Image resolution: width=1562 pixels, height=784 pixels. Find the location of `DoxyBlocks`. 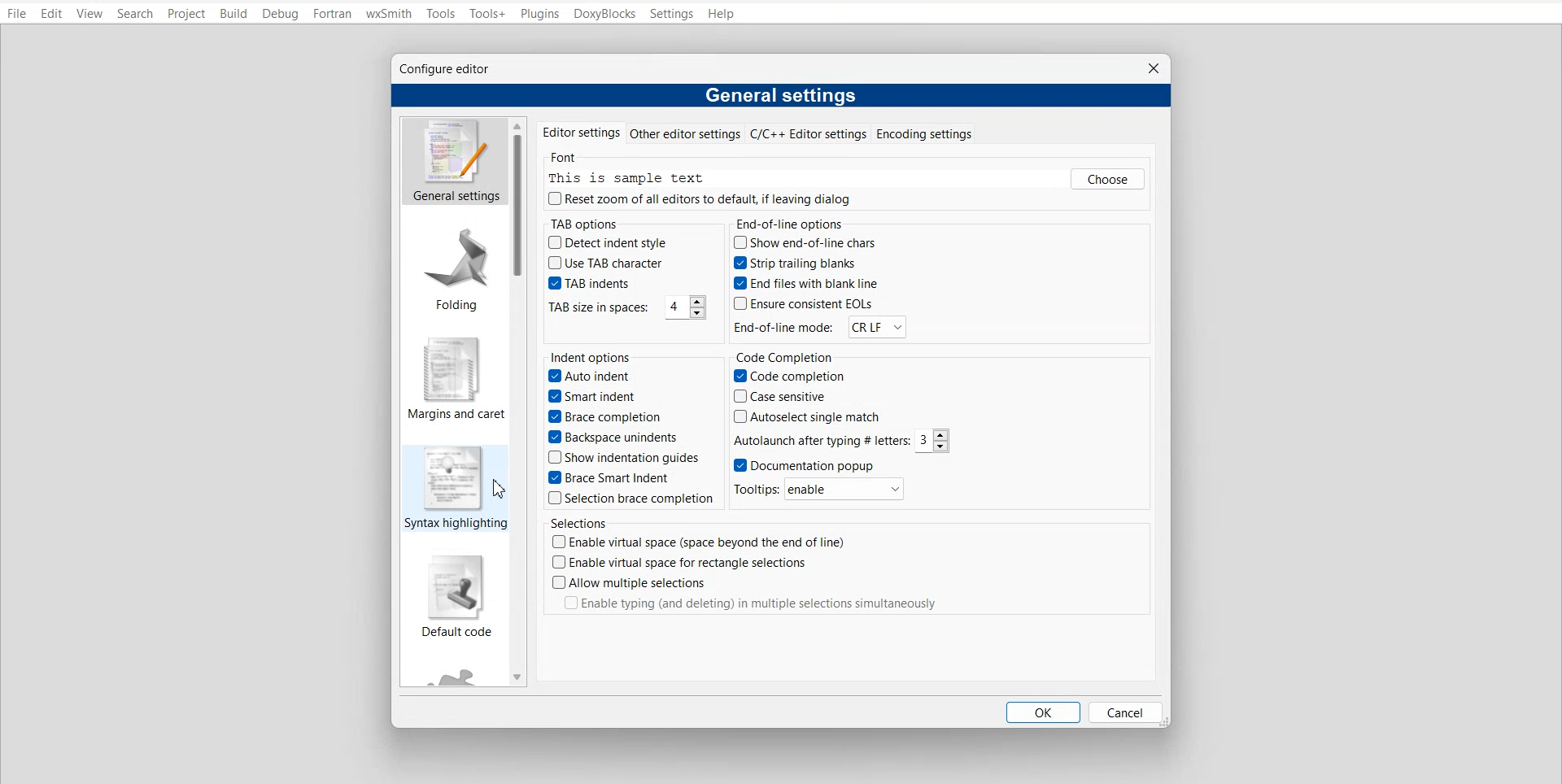

DoxyBlocks is located at coordinates (605, 14).